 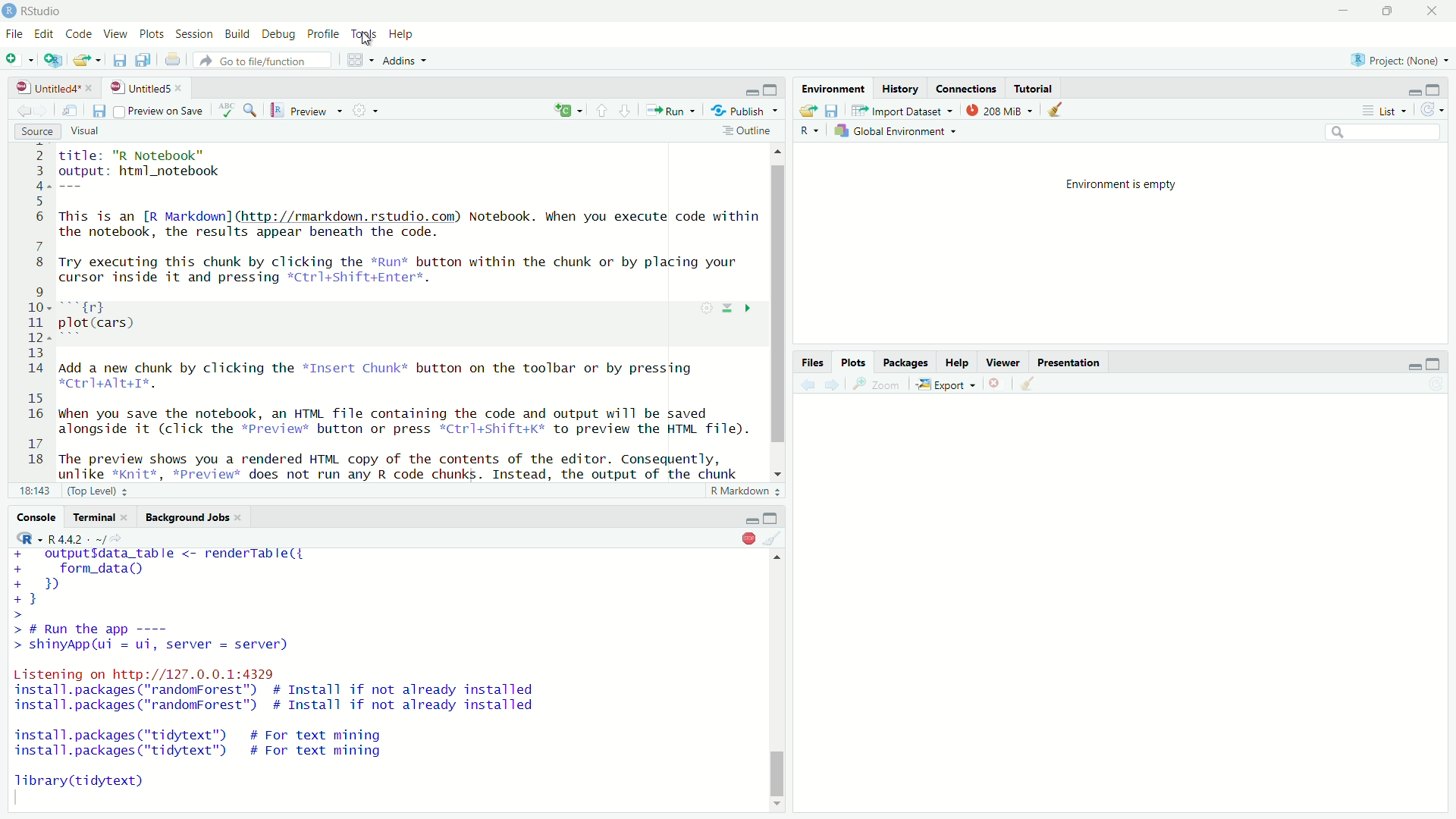 What do you see at coordinates (92, 88) in the screenshot?
I see `close` at bounding box center [92, 88].